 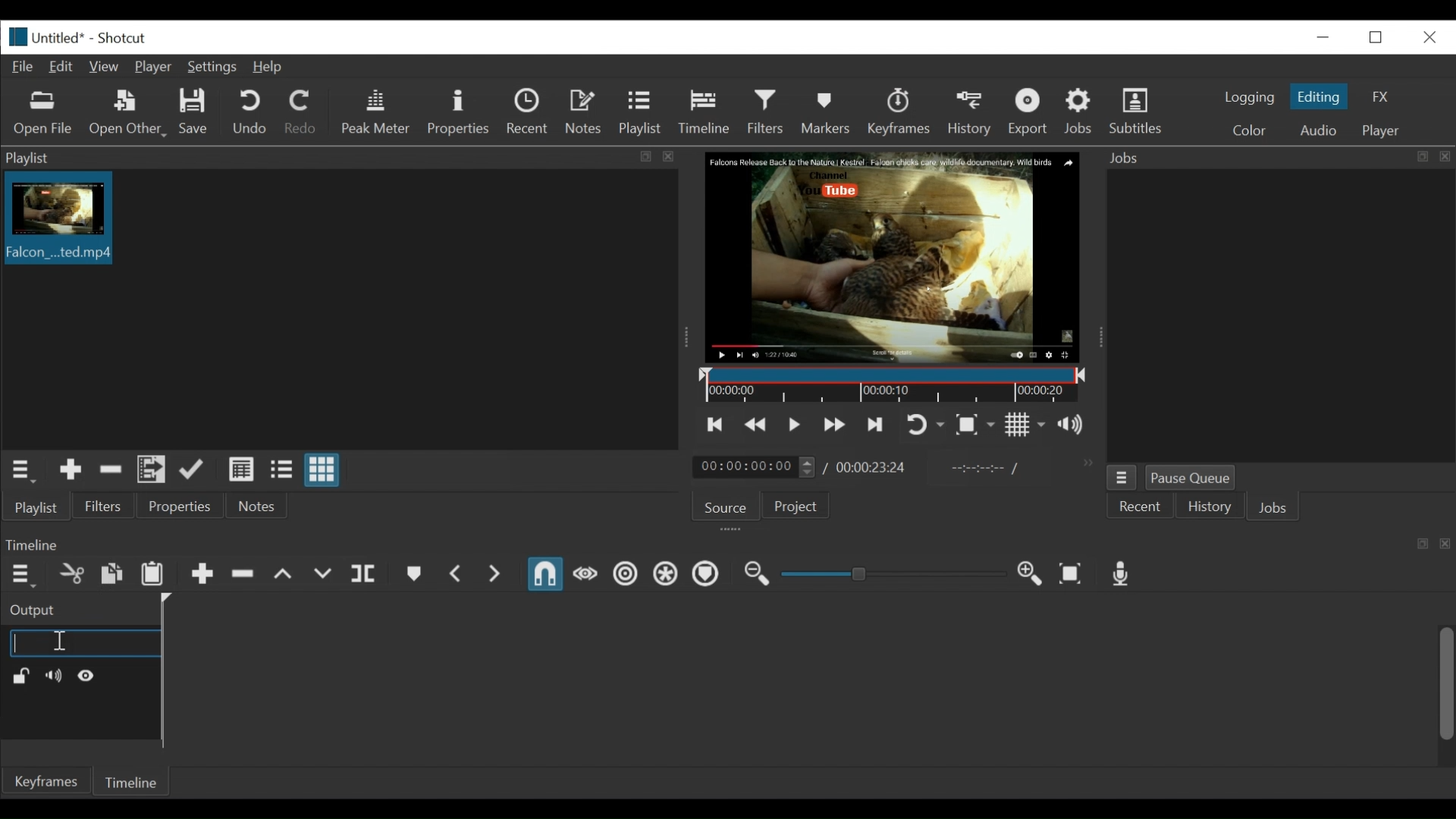 I want to click on Source, so click(x=722, y=506).